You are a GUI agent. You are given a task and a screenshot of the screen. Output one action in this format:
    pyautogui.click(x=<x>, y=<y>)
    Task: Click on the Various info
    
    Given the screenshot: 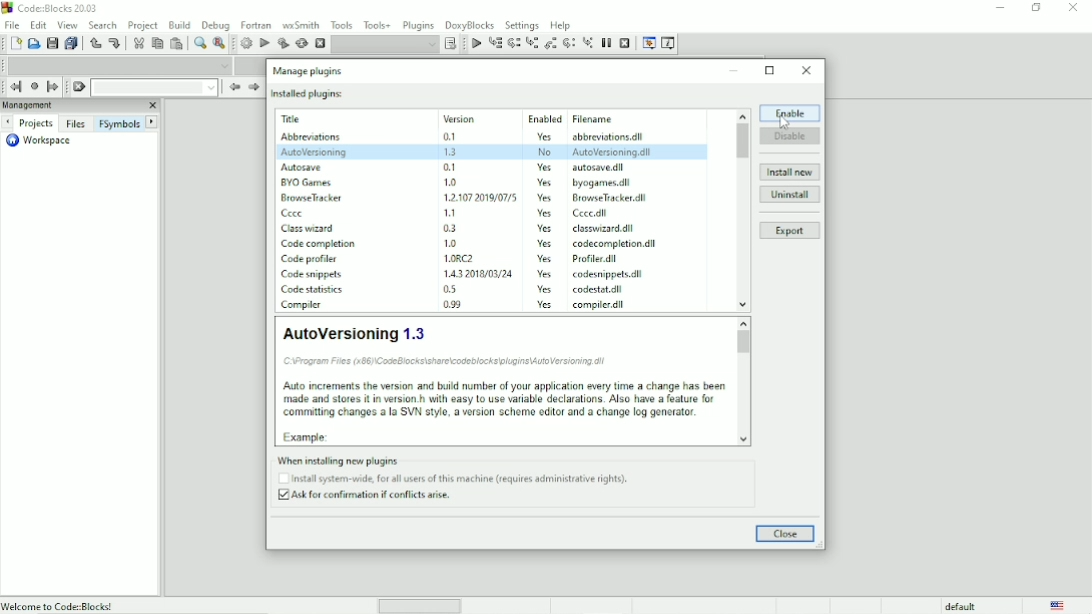 What is the action you would take?
    pyautogui.click(x=669, y=44)
    